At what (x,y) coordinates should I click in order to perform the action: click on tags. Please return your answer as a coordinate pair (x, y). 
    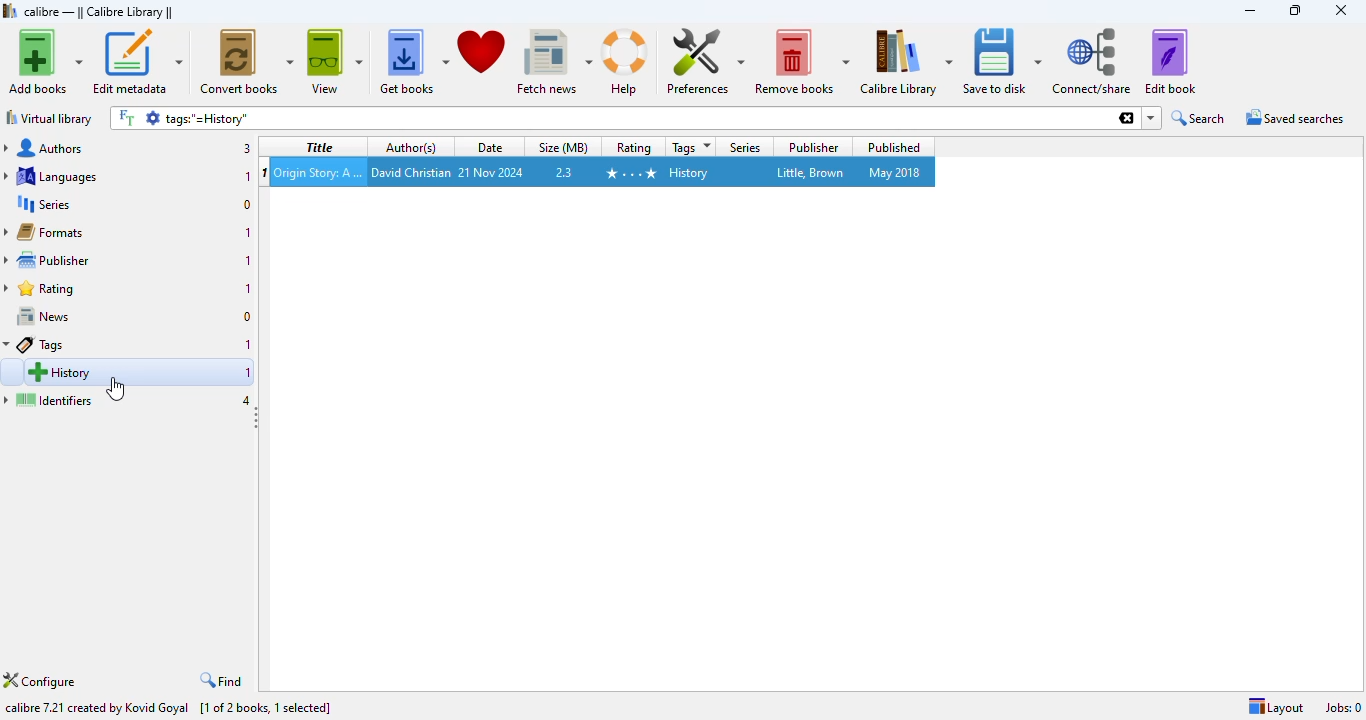
    Looking at the image, I should click on (689, 147).